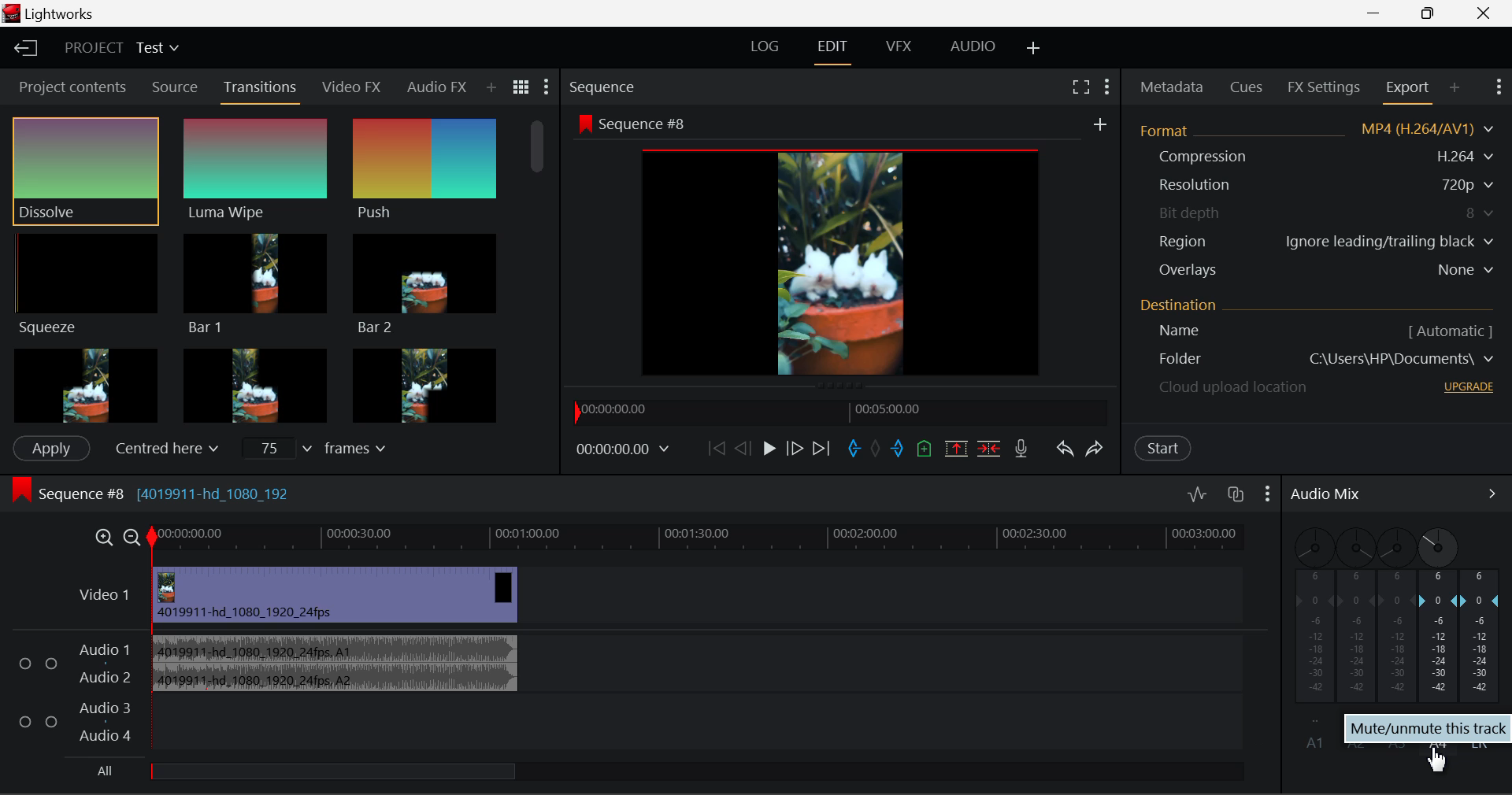  Describe the element at coordinates (1034, 46) in the screenshot. I see `Add Layout` at that location.